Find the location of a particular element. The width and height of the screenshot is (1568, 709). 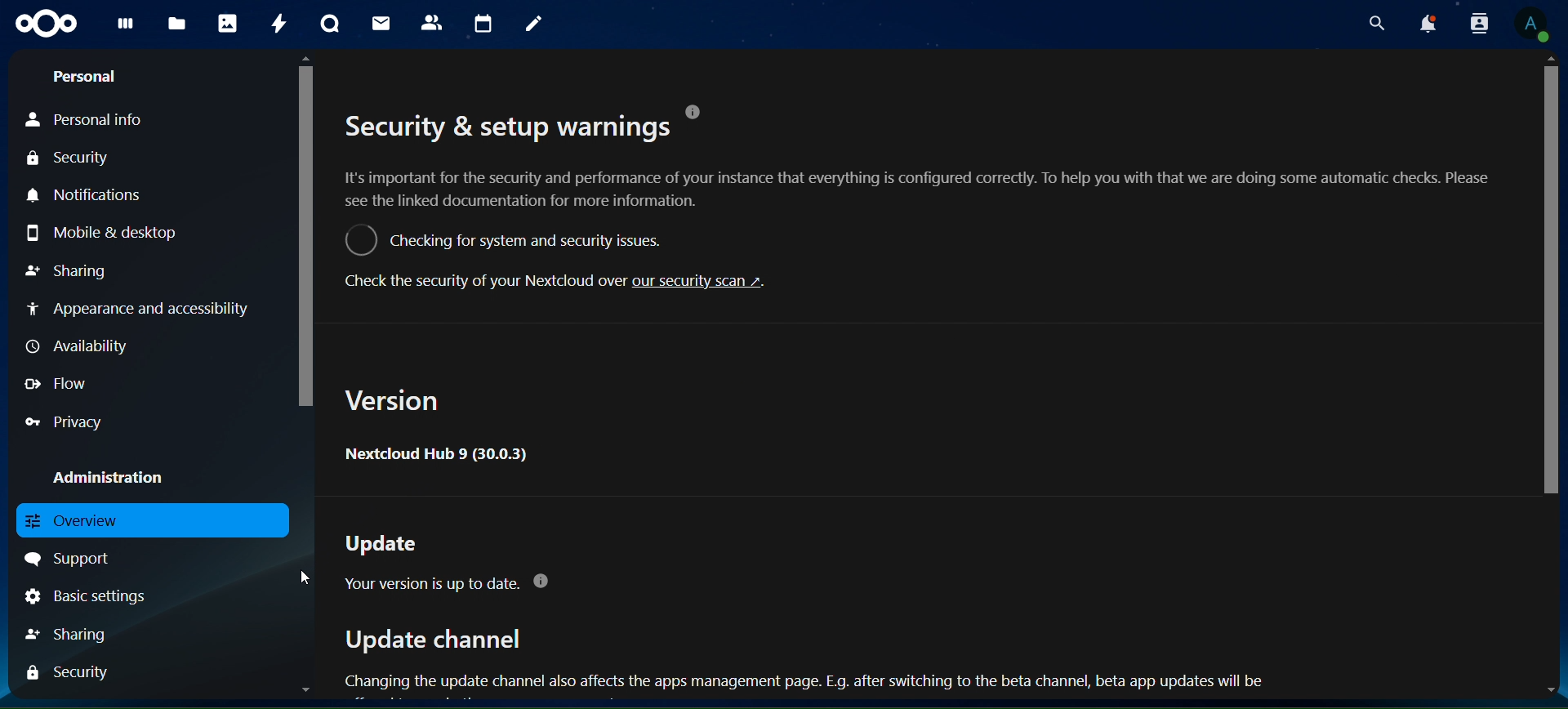

search is located at coordinates (1371, 22).